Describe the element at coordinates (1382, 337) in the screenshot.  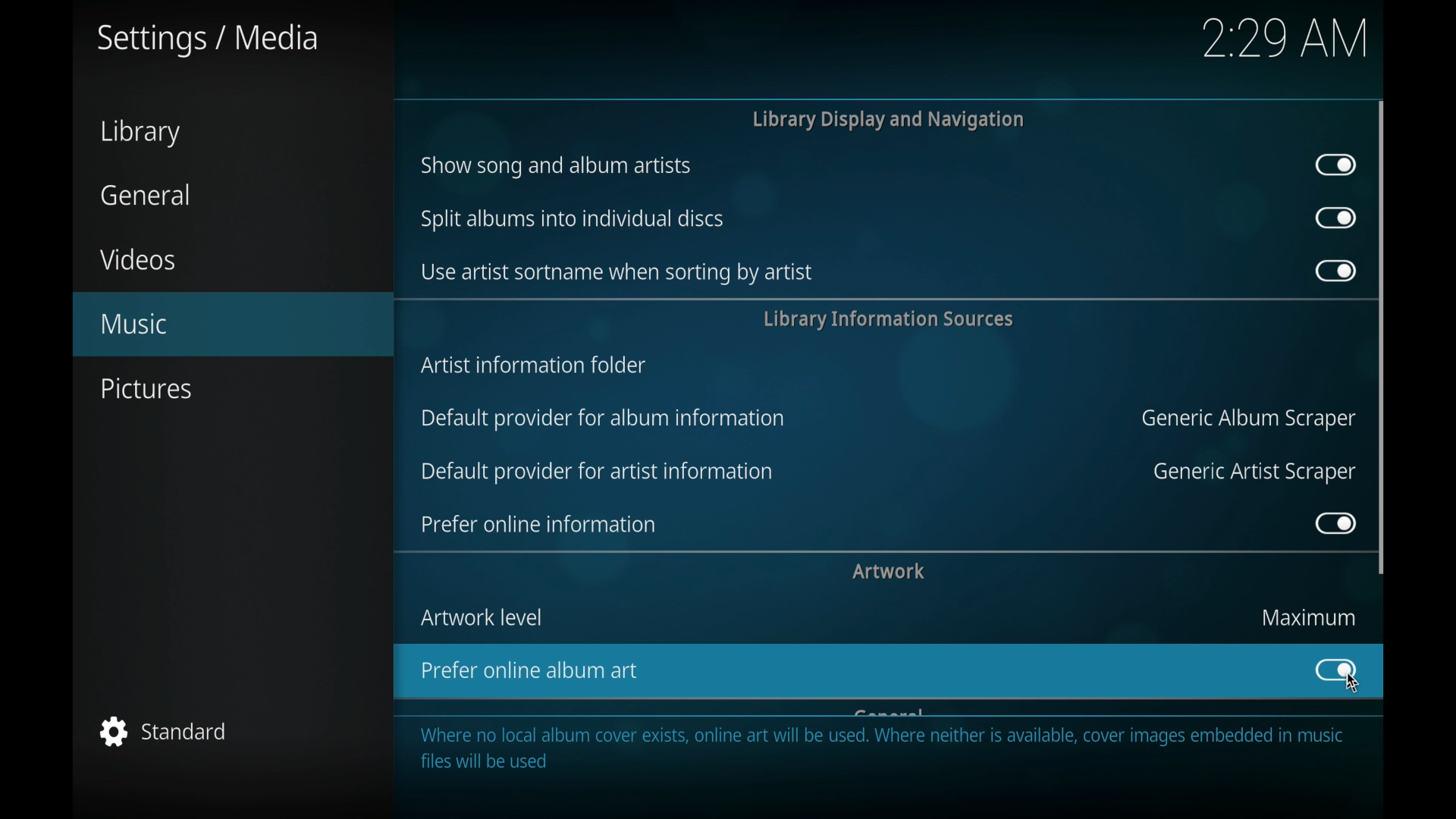
I see `scroll box` at that location.